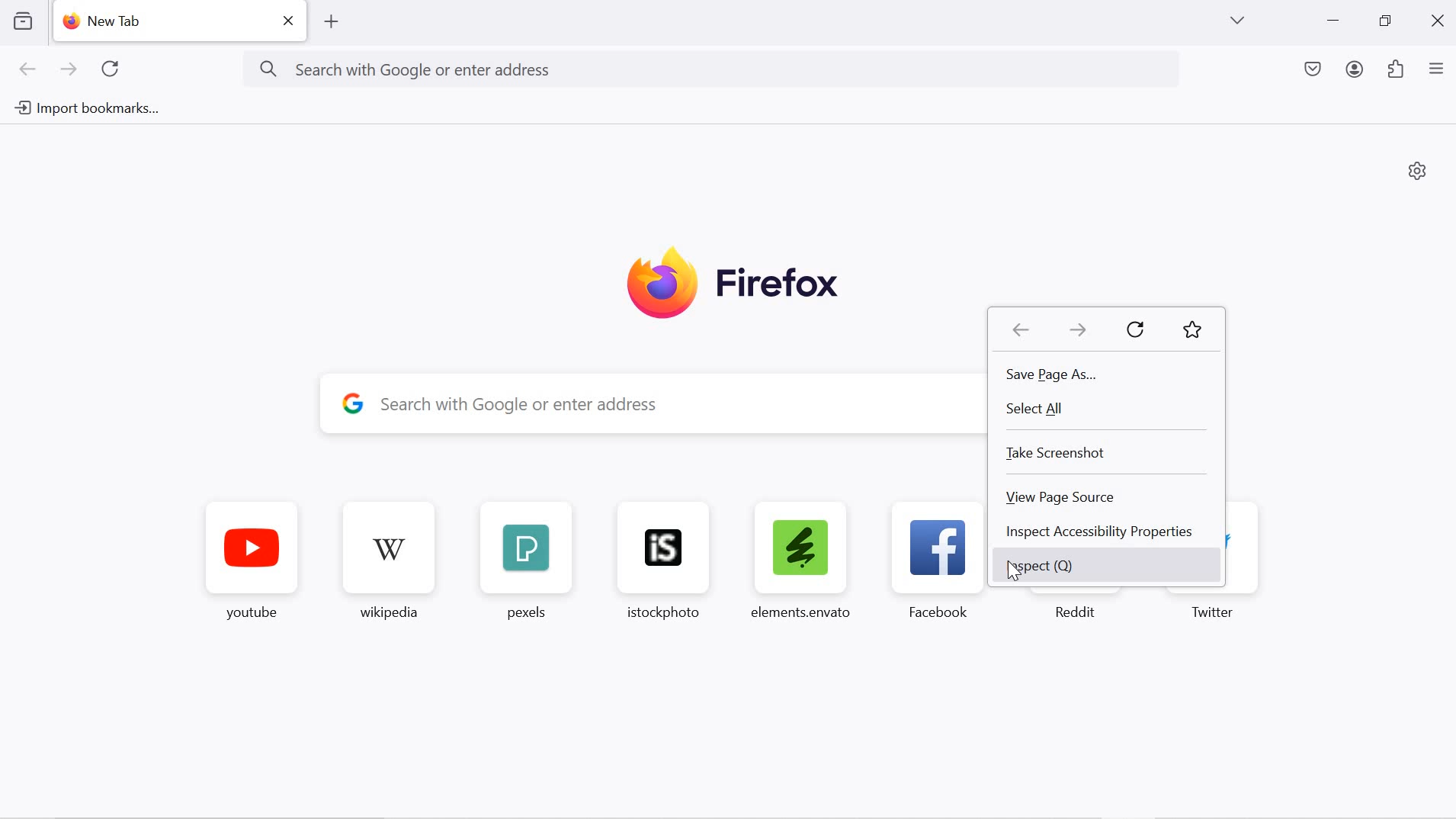 Image resolution: width=1456 pixels, height=819 pixels. I want to click on RELOAD, so click(116, 69).